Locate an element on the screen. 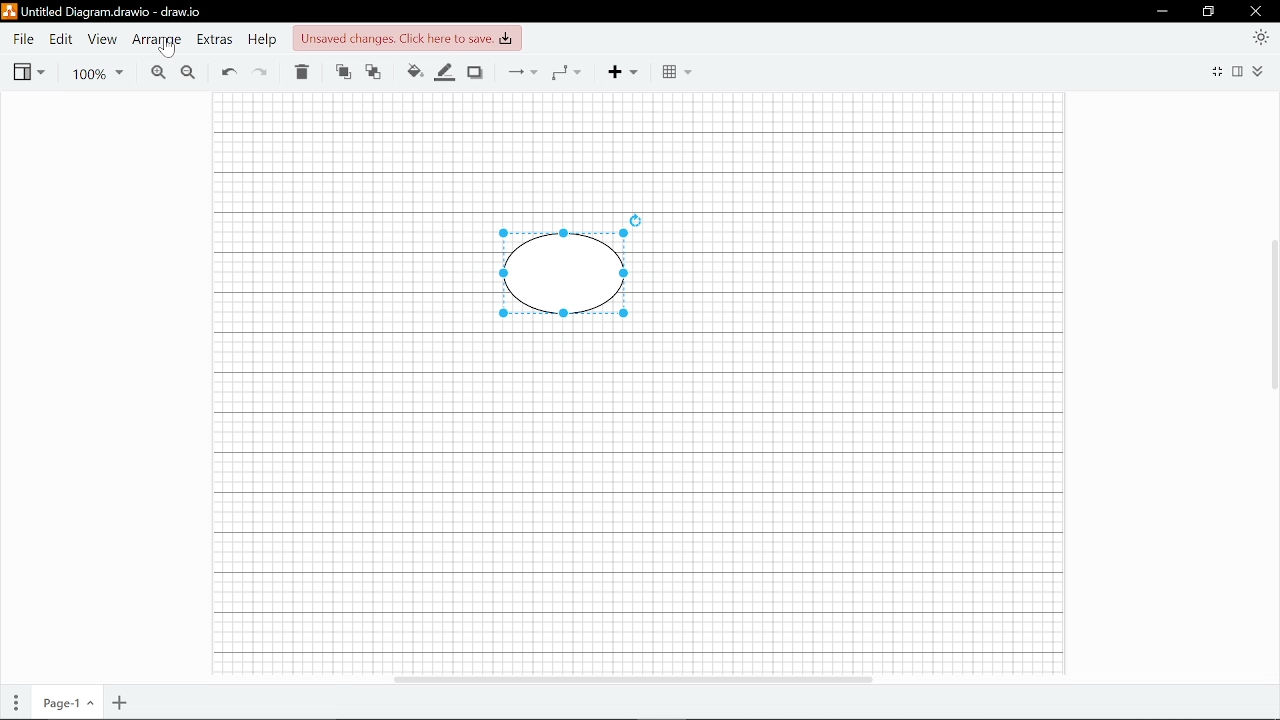 The image size is (1280, 720). Pages is located at coordinates (17, 703).